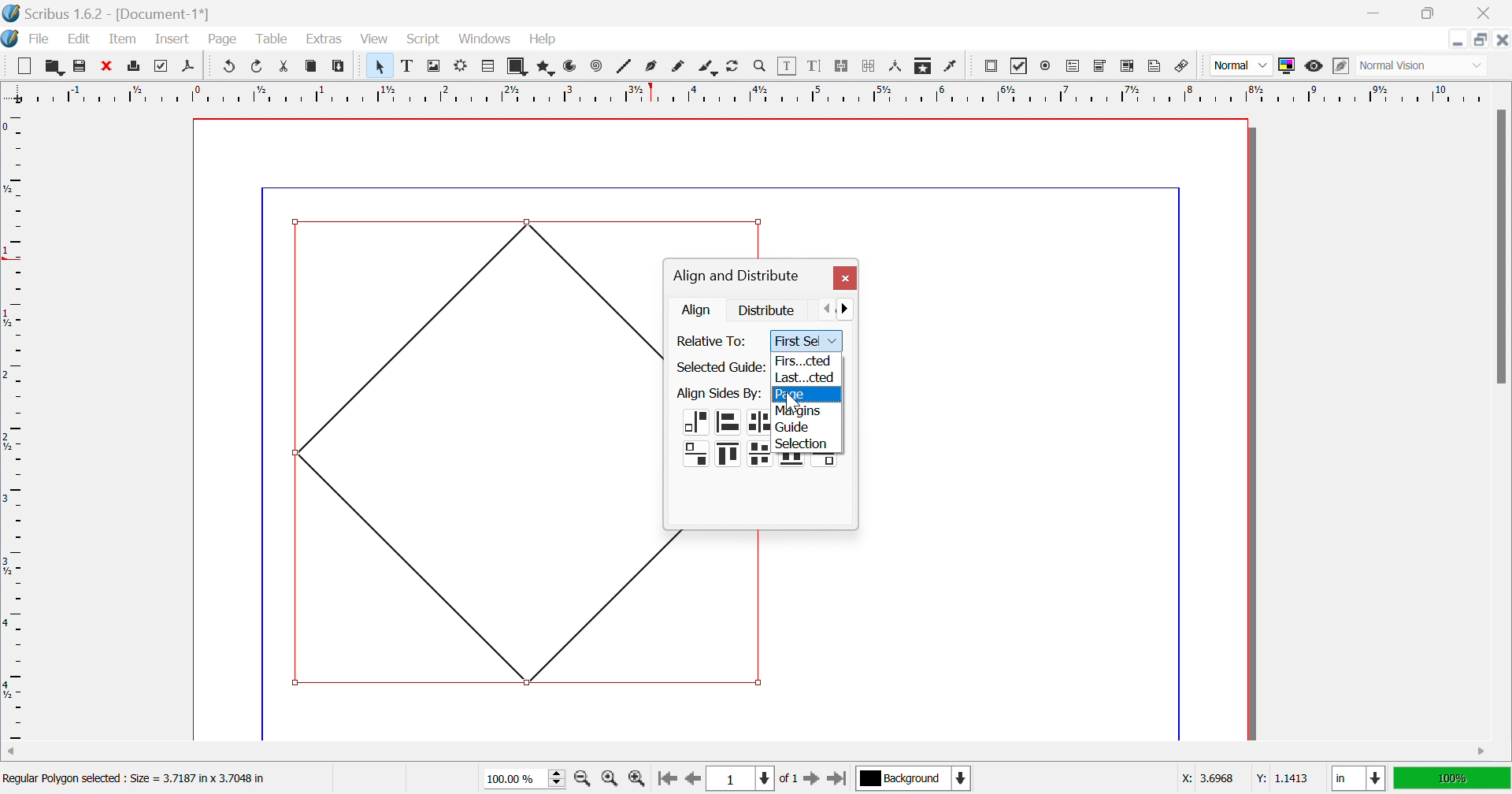 The width and height of the screenshot is (1512, 794). Describe the element at coordinates (1154, 66) in the screenshot. I see `Text annotation` at that location.